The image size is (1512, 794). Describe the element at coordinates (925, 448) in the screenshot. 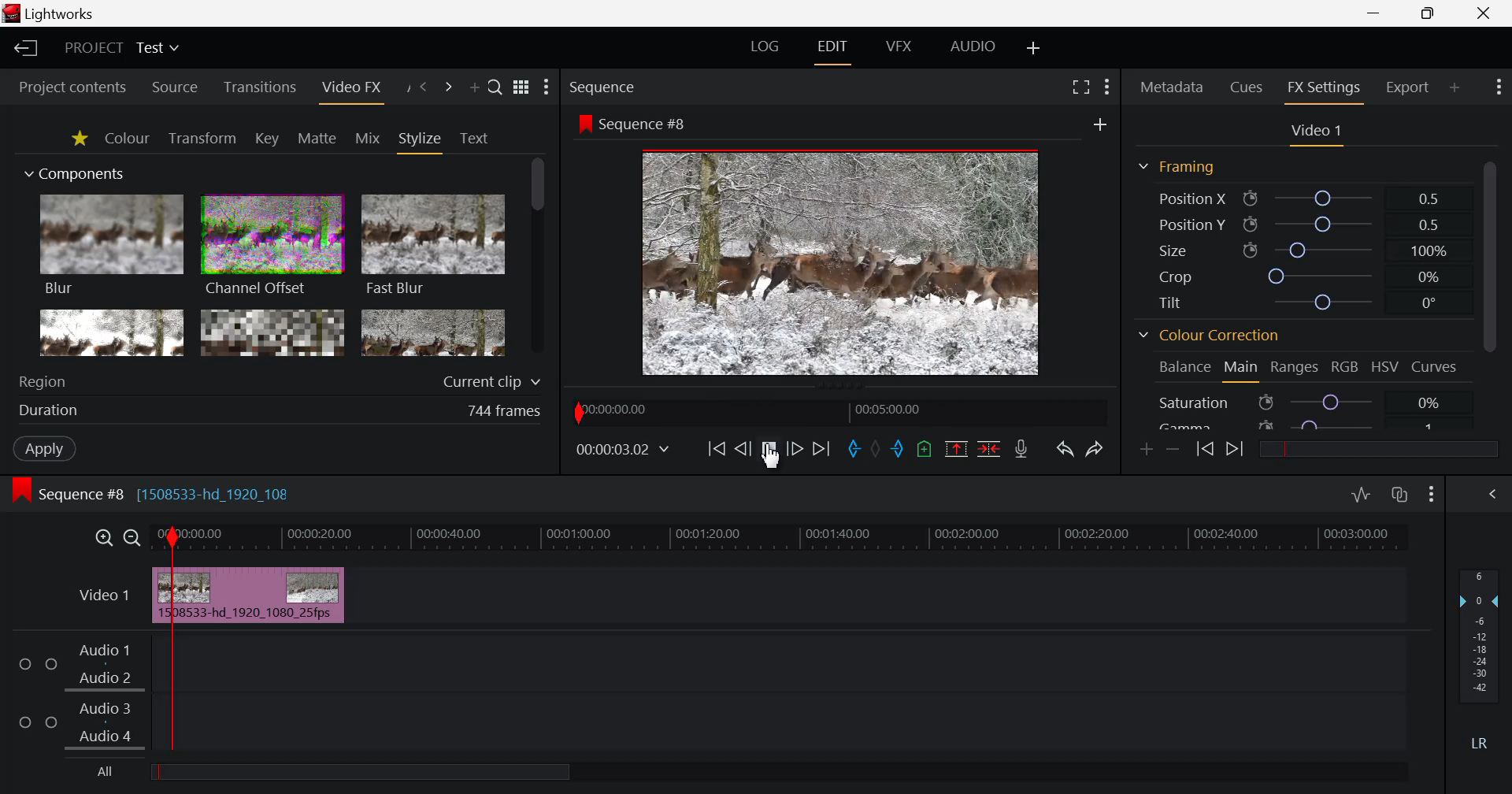

I see `Mark Cue` at that location.